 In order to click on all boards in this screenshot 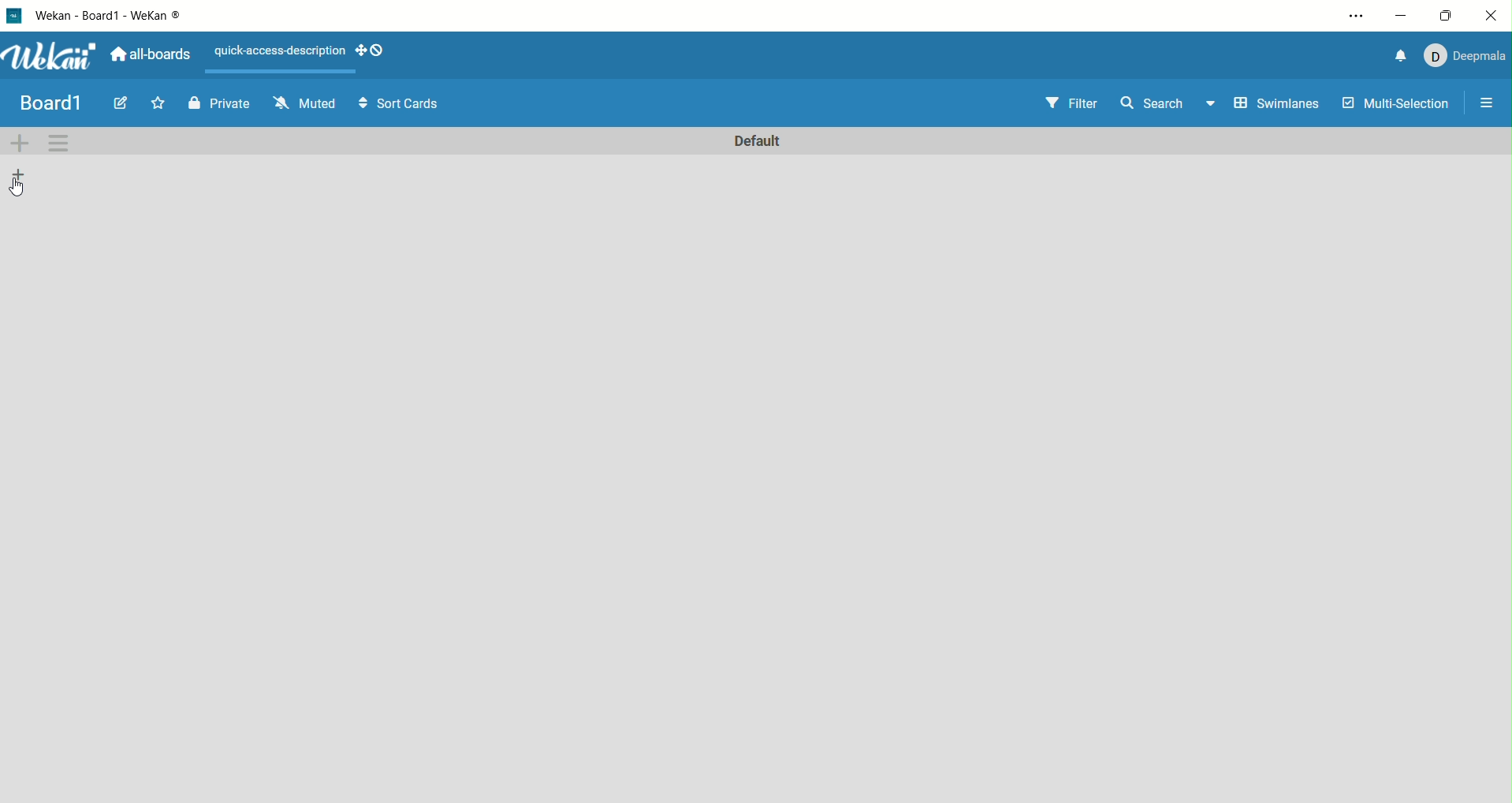, I will do `click(151, 54)`.